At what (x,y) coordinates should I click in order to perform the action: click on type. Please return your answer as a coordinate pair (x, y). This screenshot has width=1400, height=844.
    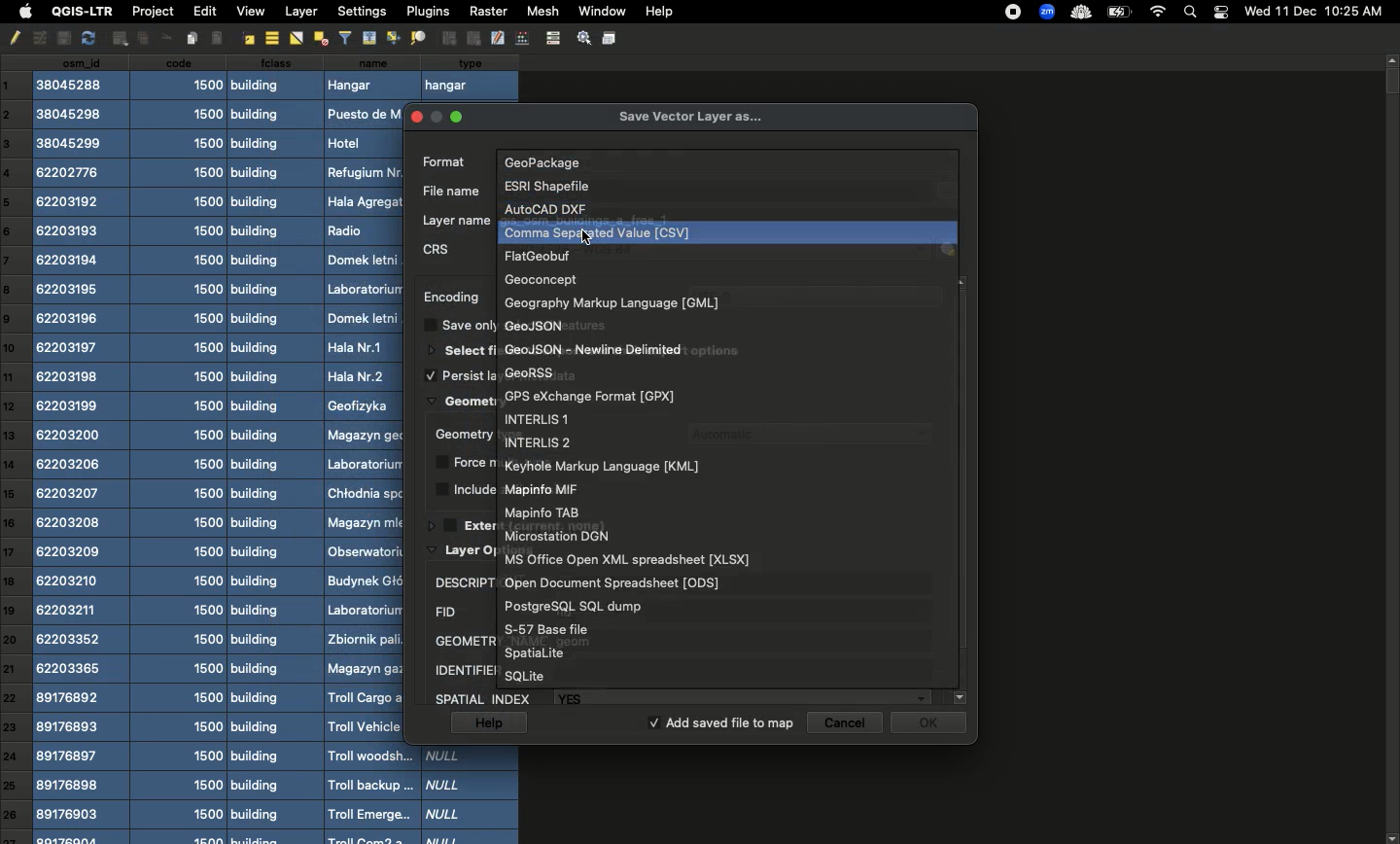
    Looking at the image, I should click on (472, 74).